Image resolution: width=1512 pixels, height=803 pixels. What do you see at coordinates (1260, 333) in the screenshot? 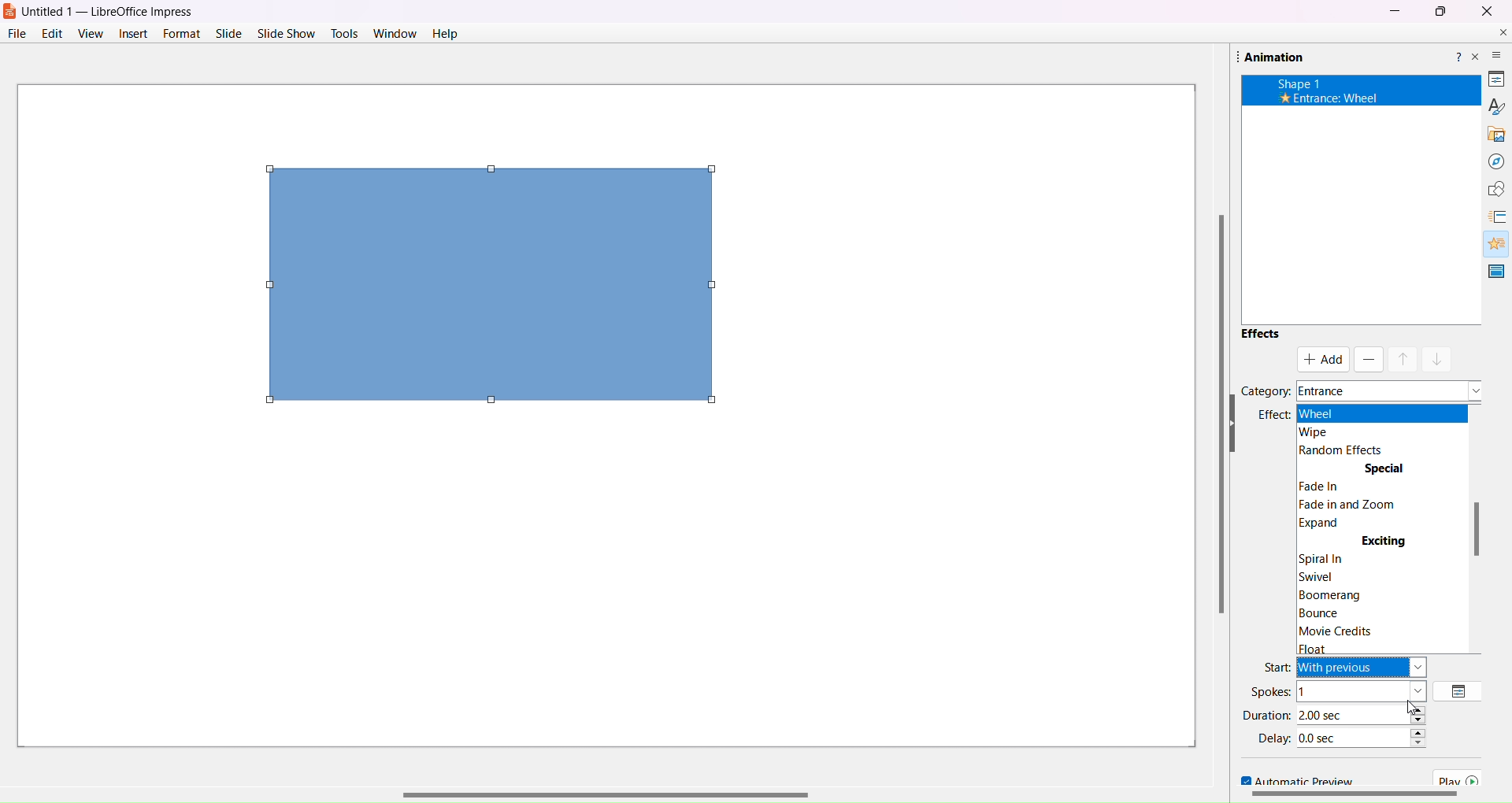
I see `Effects` at bounding box center [1260, 333].